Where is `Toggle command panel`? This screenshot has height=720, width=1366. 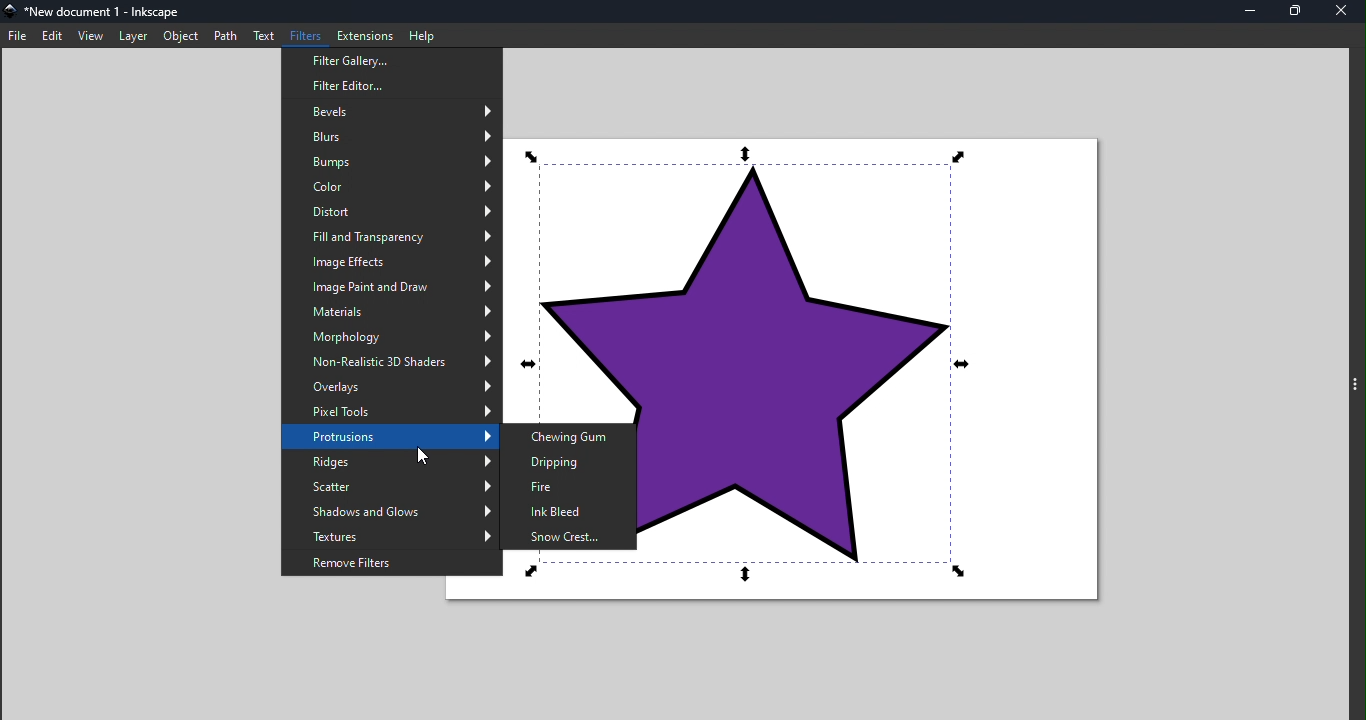
Toggle command panel is located at coordinates (1353, 384).